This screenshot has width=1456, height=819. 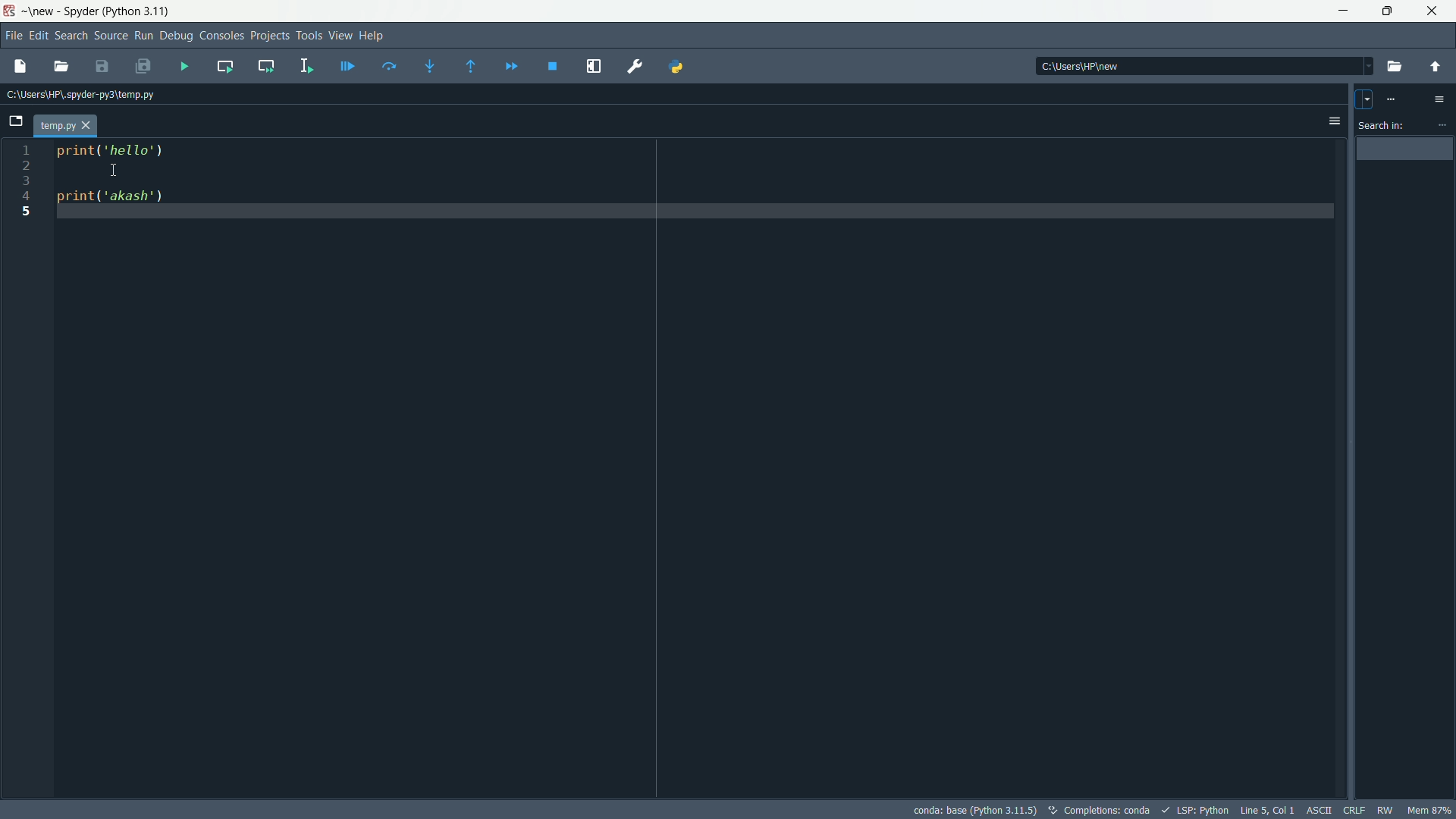 I want to click on dropdown, so click(x=1363, y=100).